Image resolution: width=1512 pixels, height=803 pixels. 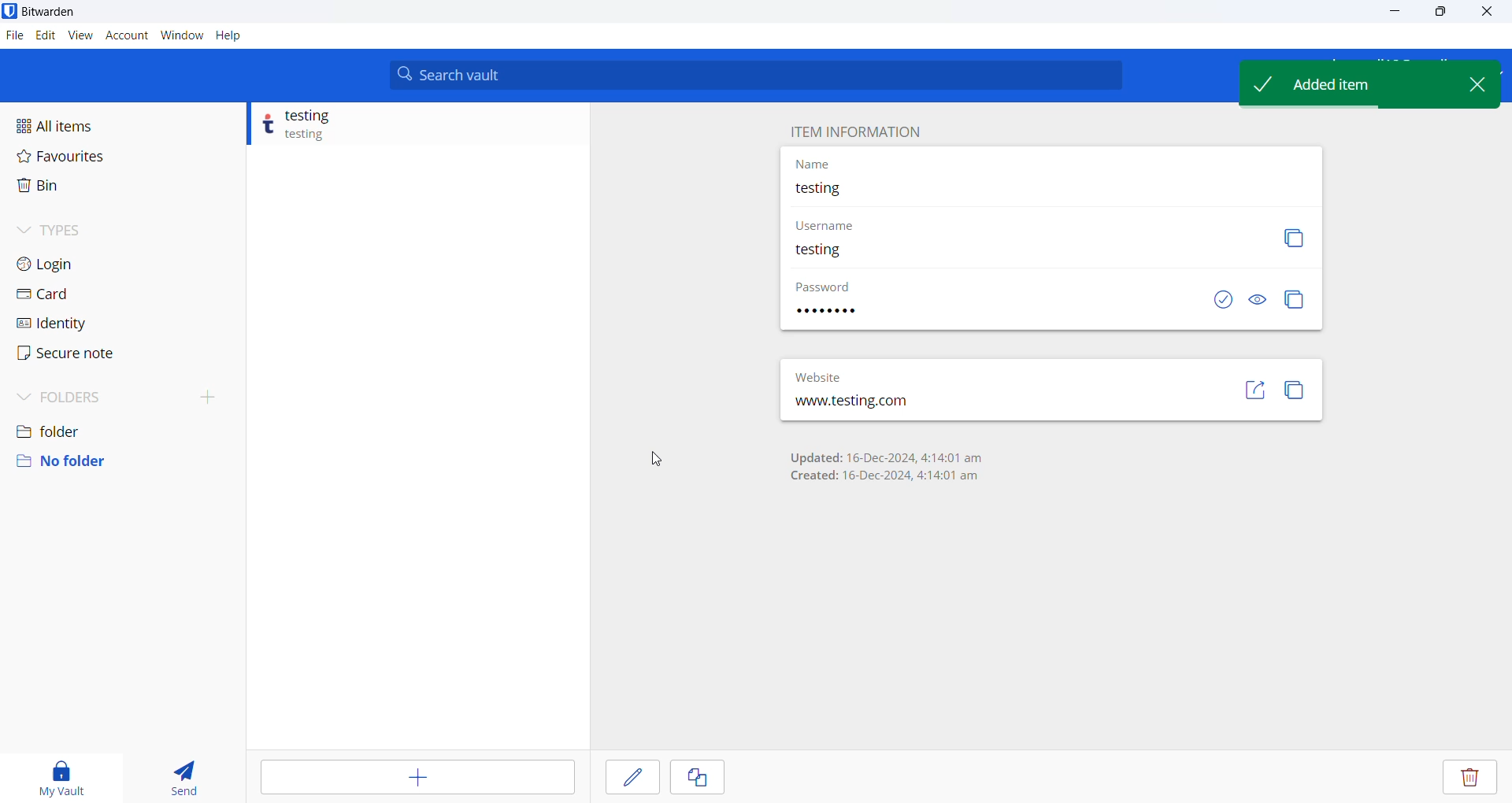 What do you see at coordinates (1396, 12) in the screenshot?
I see `minimize` at bounding box center [1396, 12].